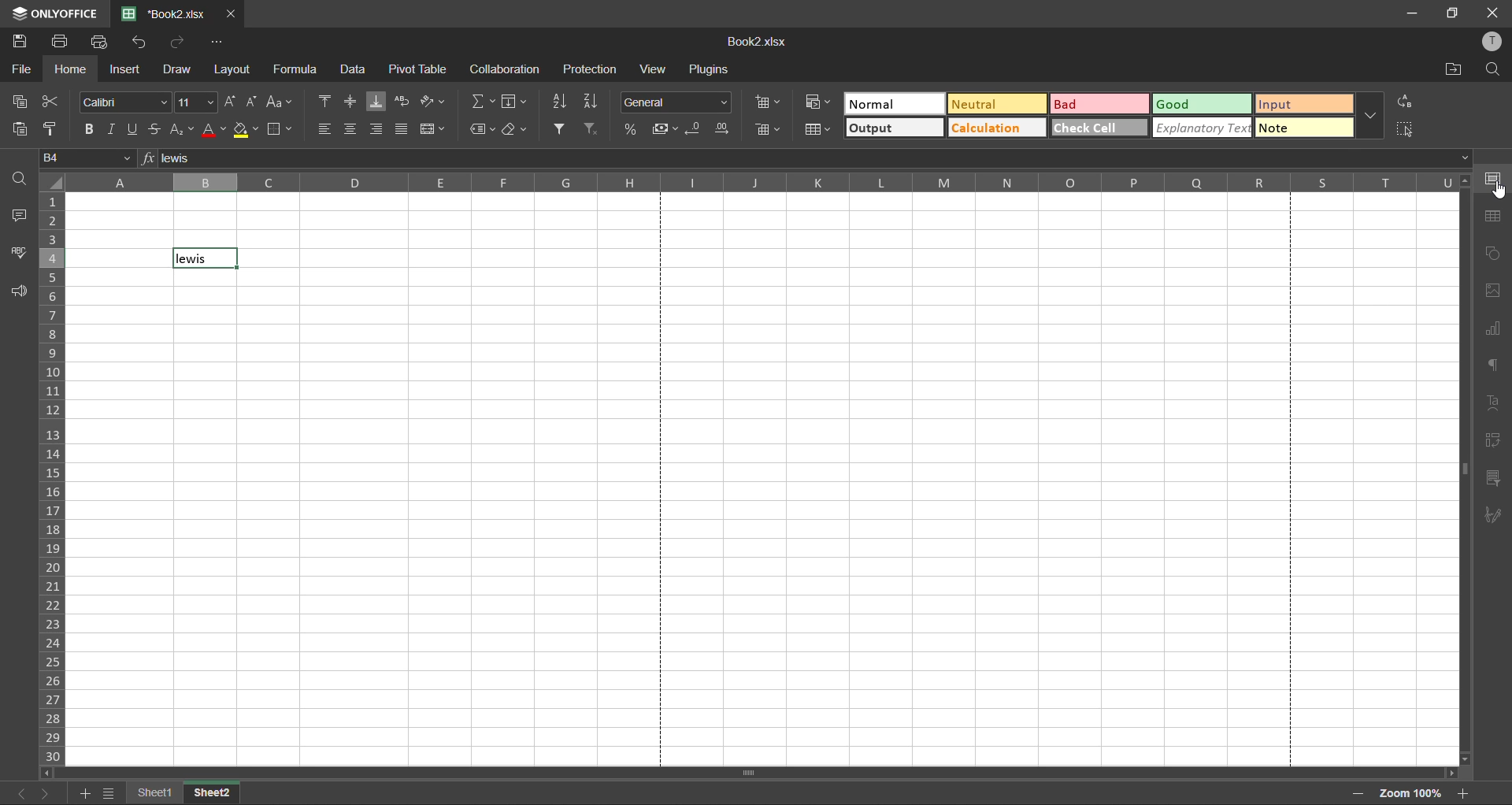 This screenshot has width=1512, height=805. I want to click on collaboration, so click(505, 71).